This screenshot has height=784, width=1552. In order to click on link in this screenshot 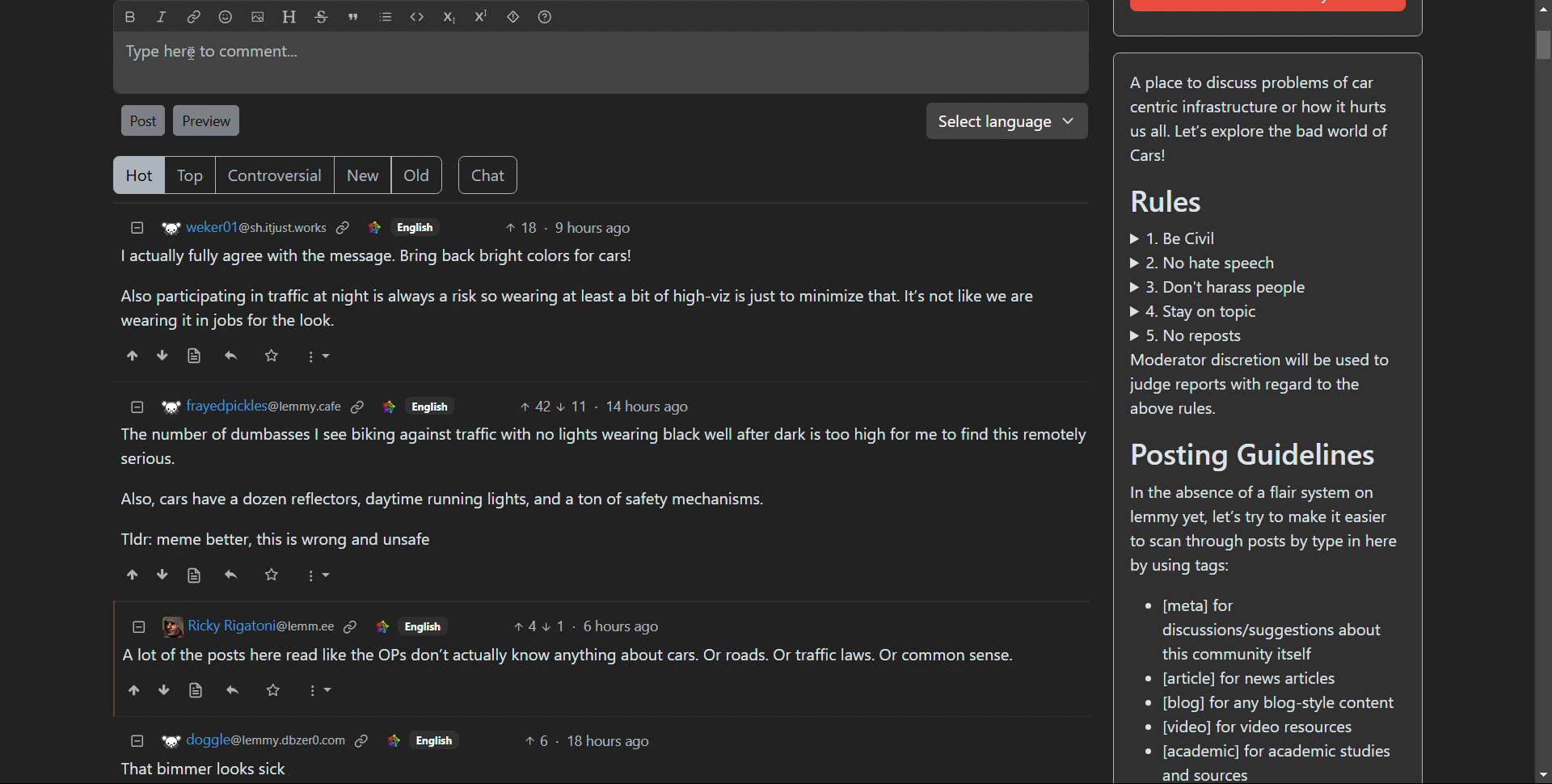, I will do `click(382, 626)`.